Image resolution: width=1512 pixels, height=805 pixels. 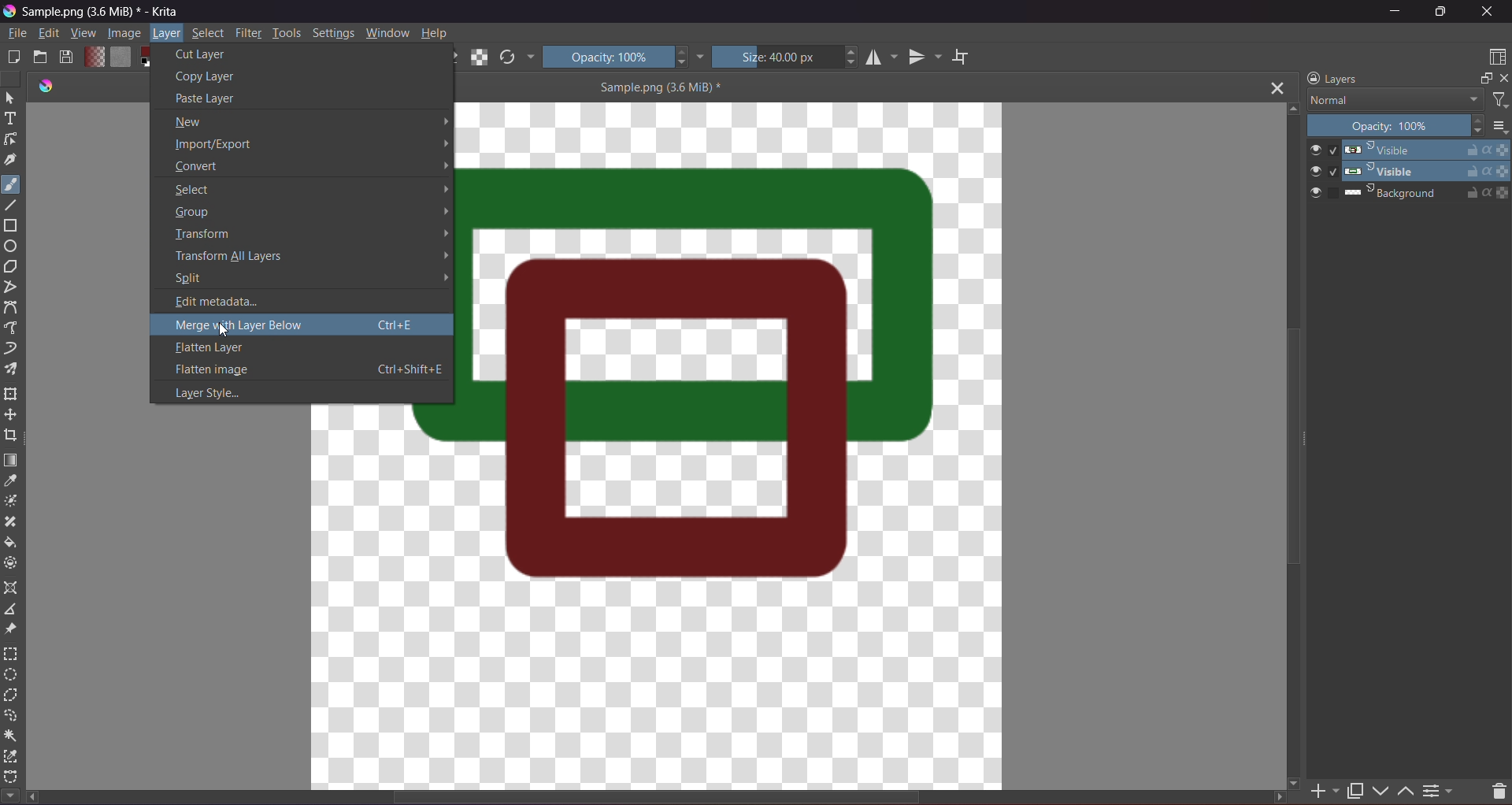 What do you see at coordinates (309, 191) in the screenshot?
I see `Select` at bounding box center [309, 191].